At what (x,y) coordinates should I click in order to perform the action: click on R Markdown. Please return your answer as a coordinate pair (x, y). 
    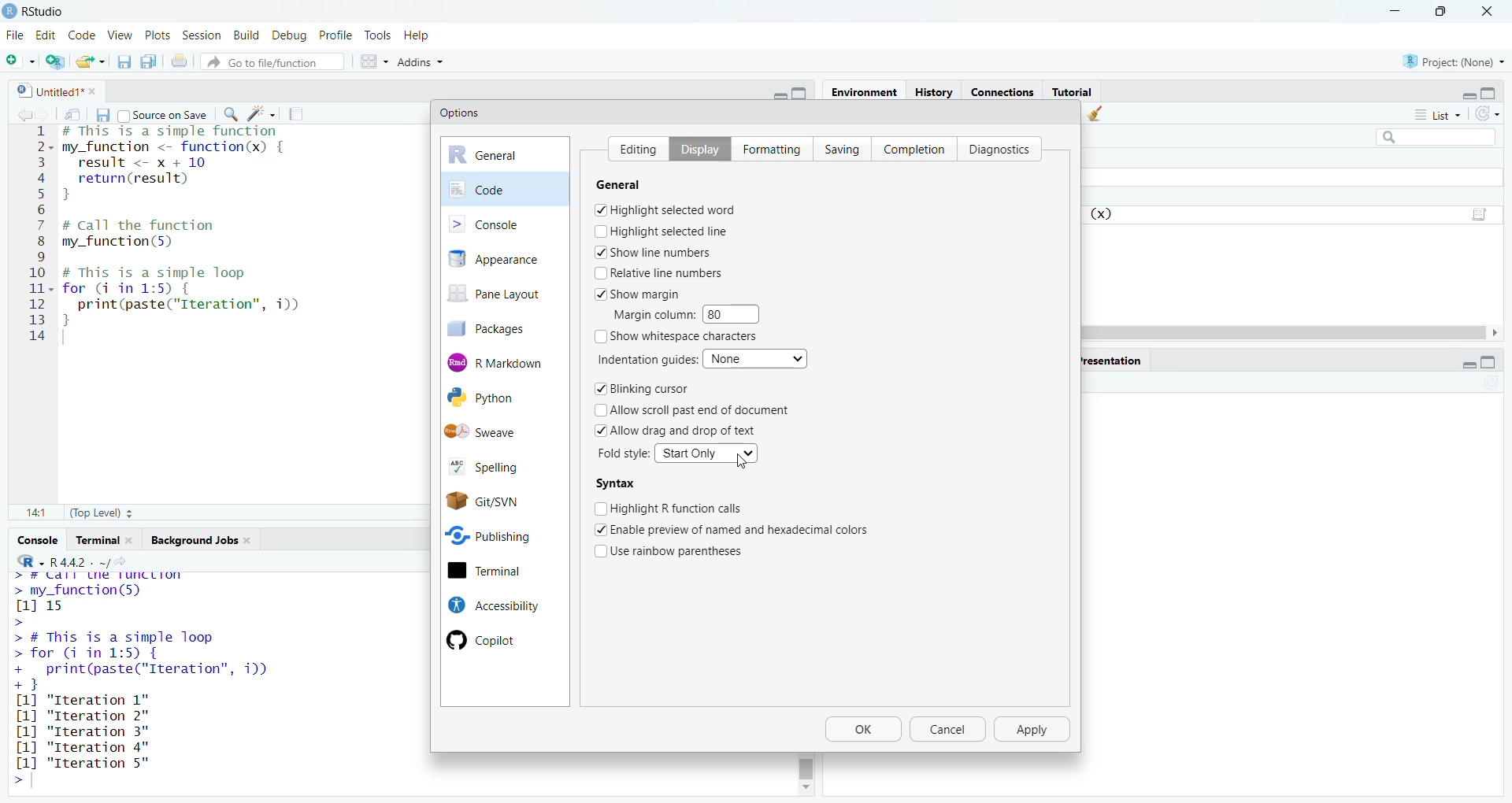
    Looking at the image, I should click on (506, 361).